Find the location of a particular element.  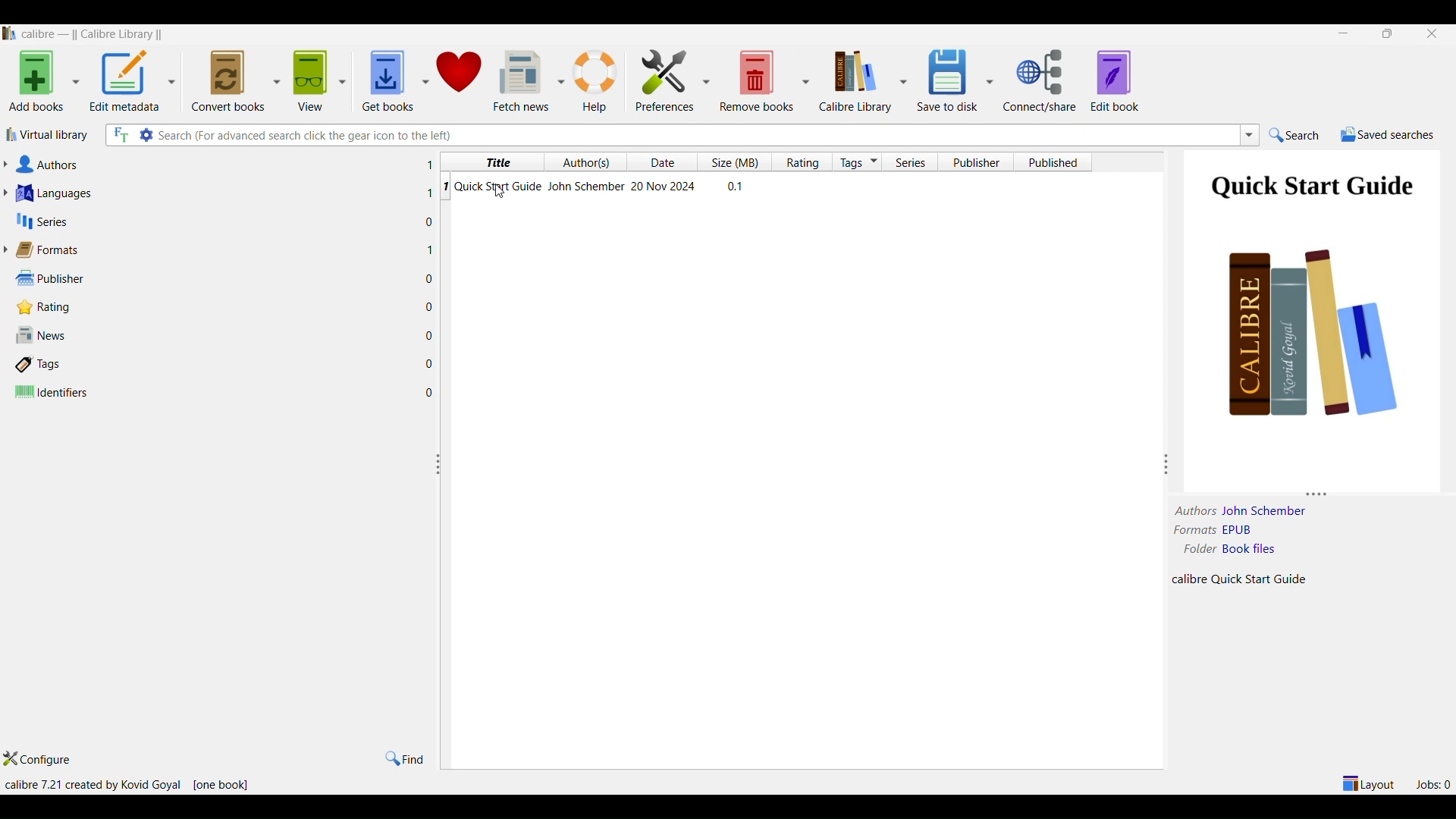

news  is located at coordinates (226, 334).